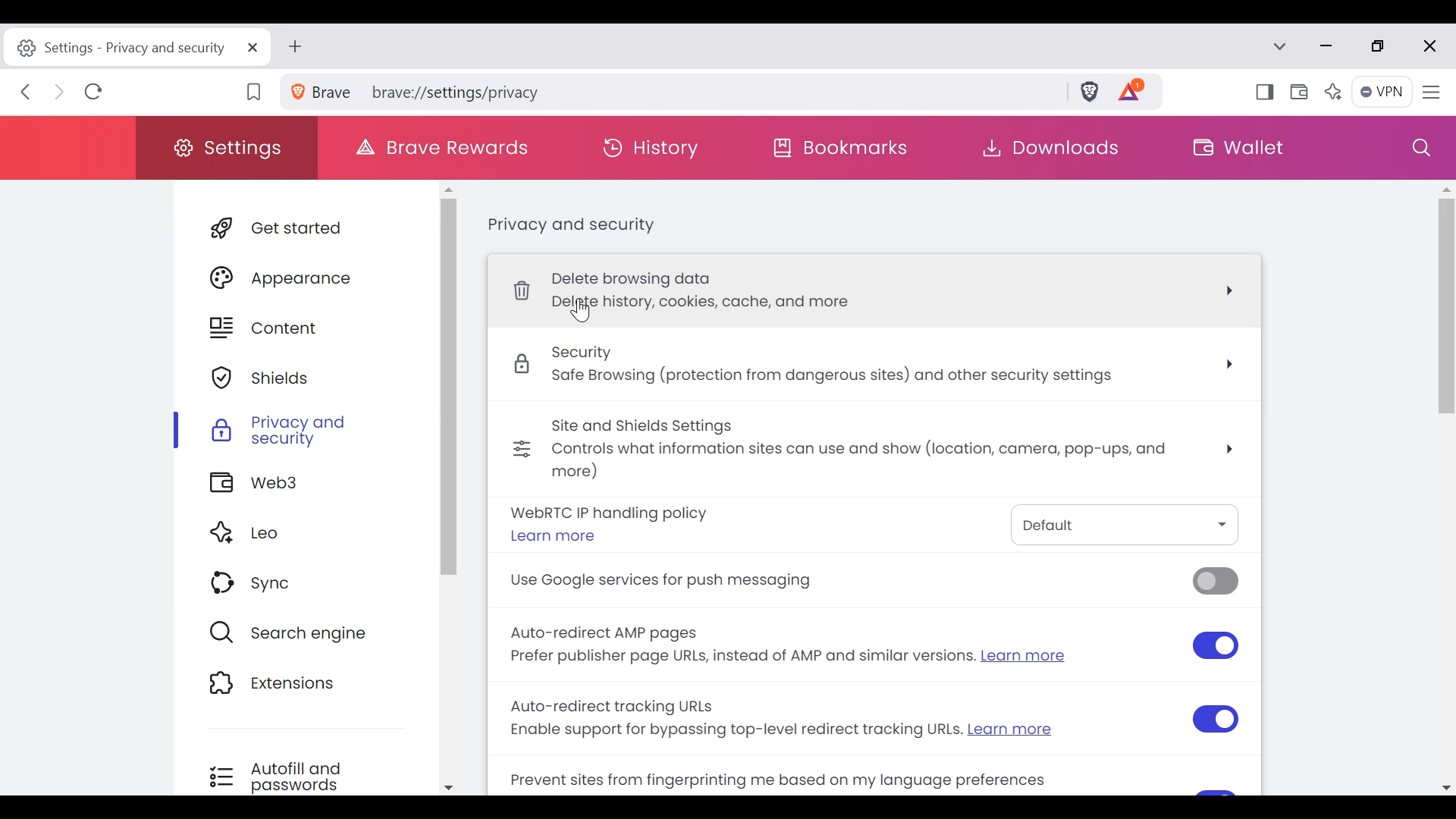 The height and width of the screenshot is (819, 1456). Describe the element at coordinates (448, 787) in the screenshot. I see `Scroll down` at that location.